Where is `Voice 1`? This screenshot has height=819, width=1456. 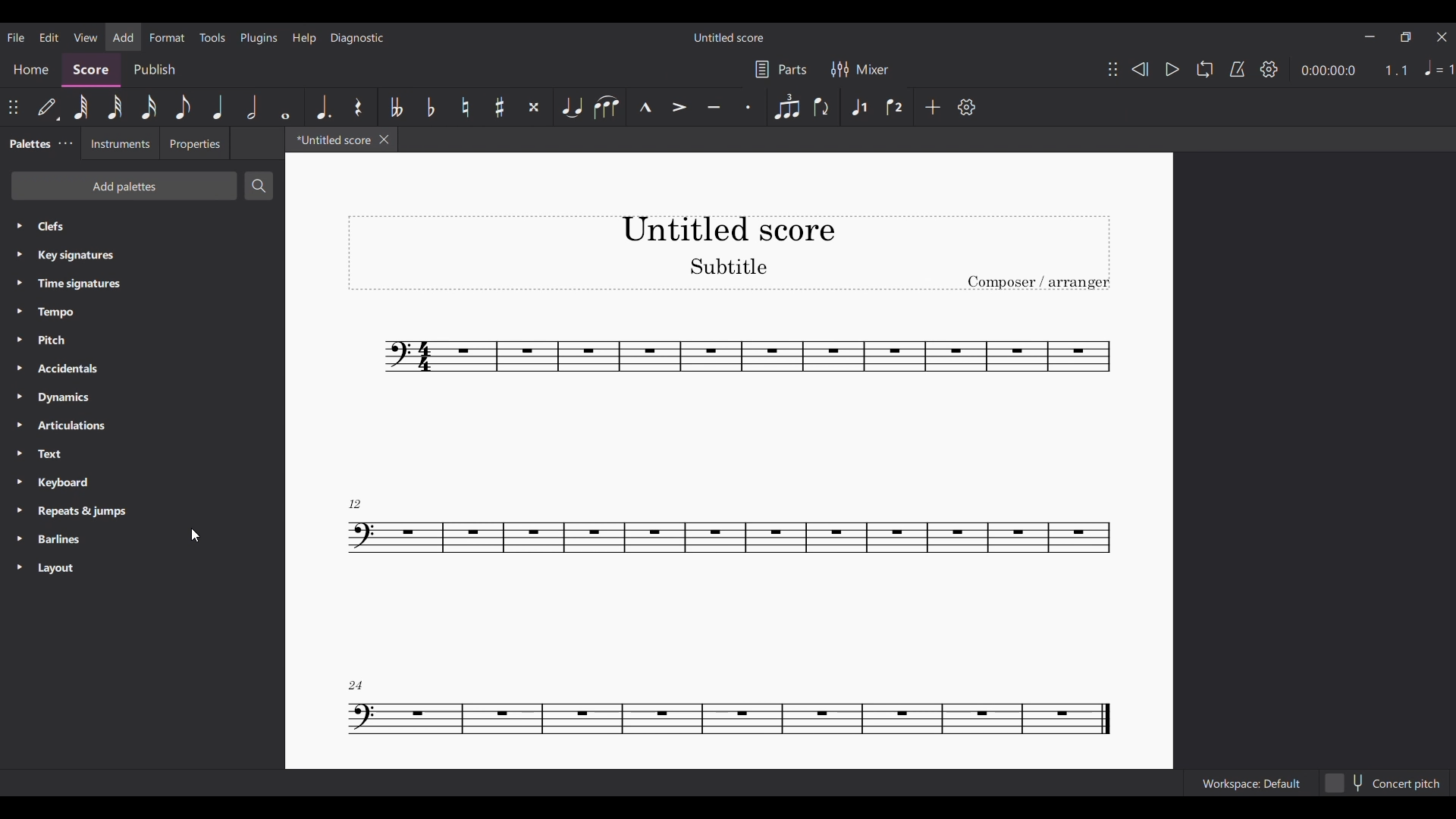 Voice 1 is located at coordinates (499, 102).